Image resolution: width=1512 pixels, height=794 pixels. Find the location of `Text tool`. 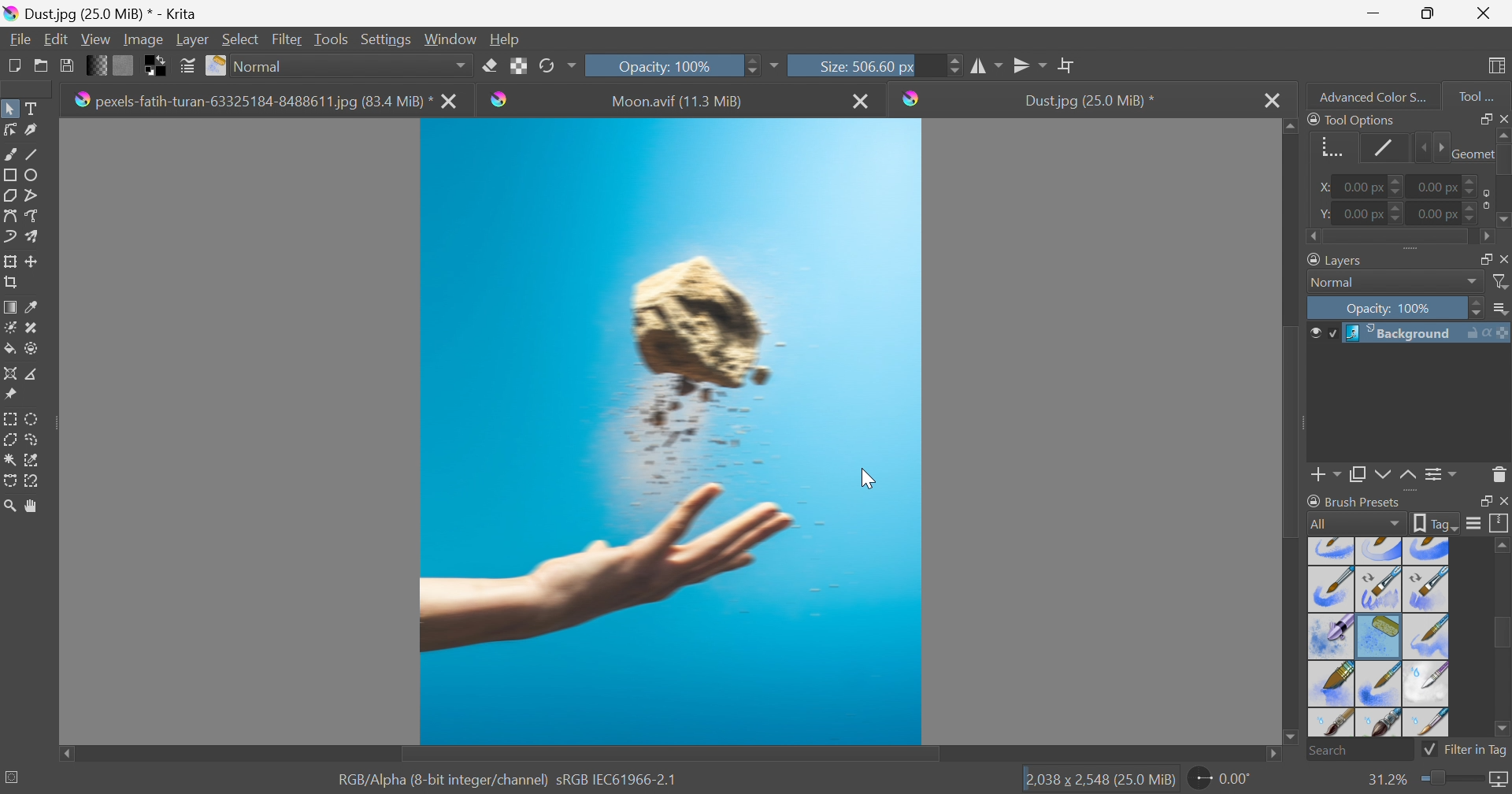

Text tool is located at coordinates (35, 109).